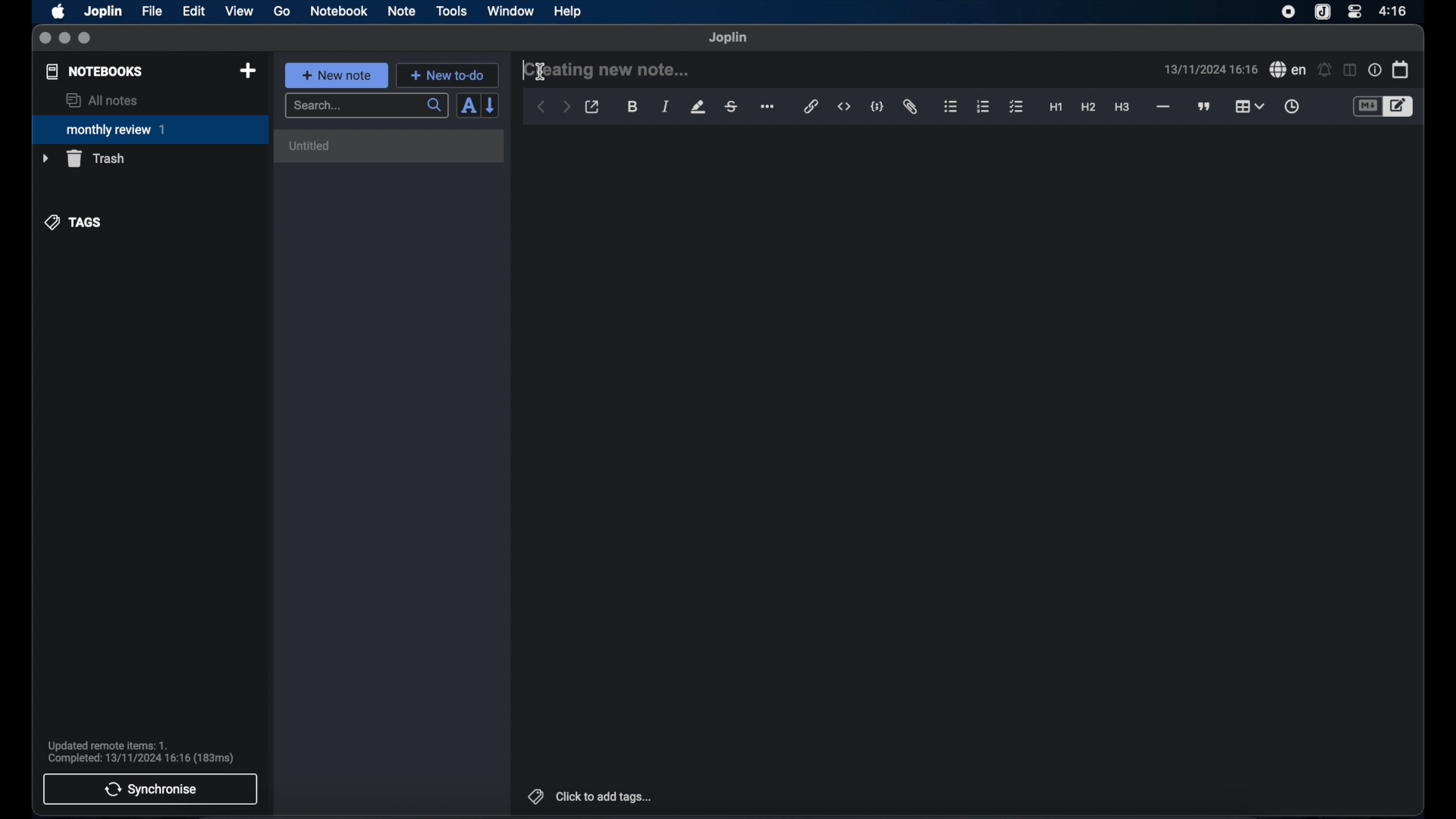 This screenshot has height=819, width=1456. What do you see at coordinates (950, 107) in the screenshot?
I see `bulleted list` at bounding box center [950, 107].